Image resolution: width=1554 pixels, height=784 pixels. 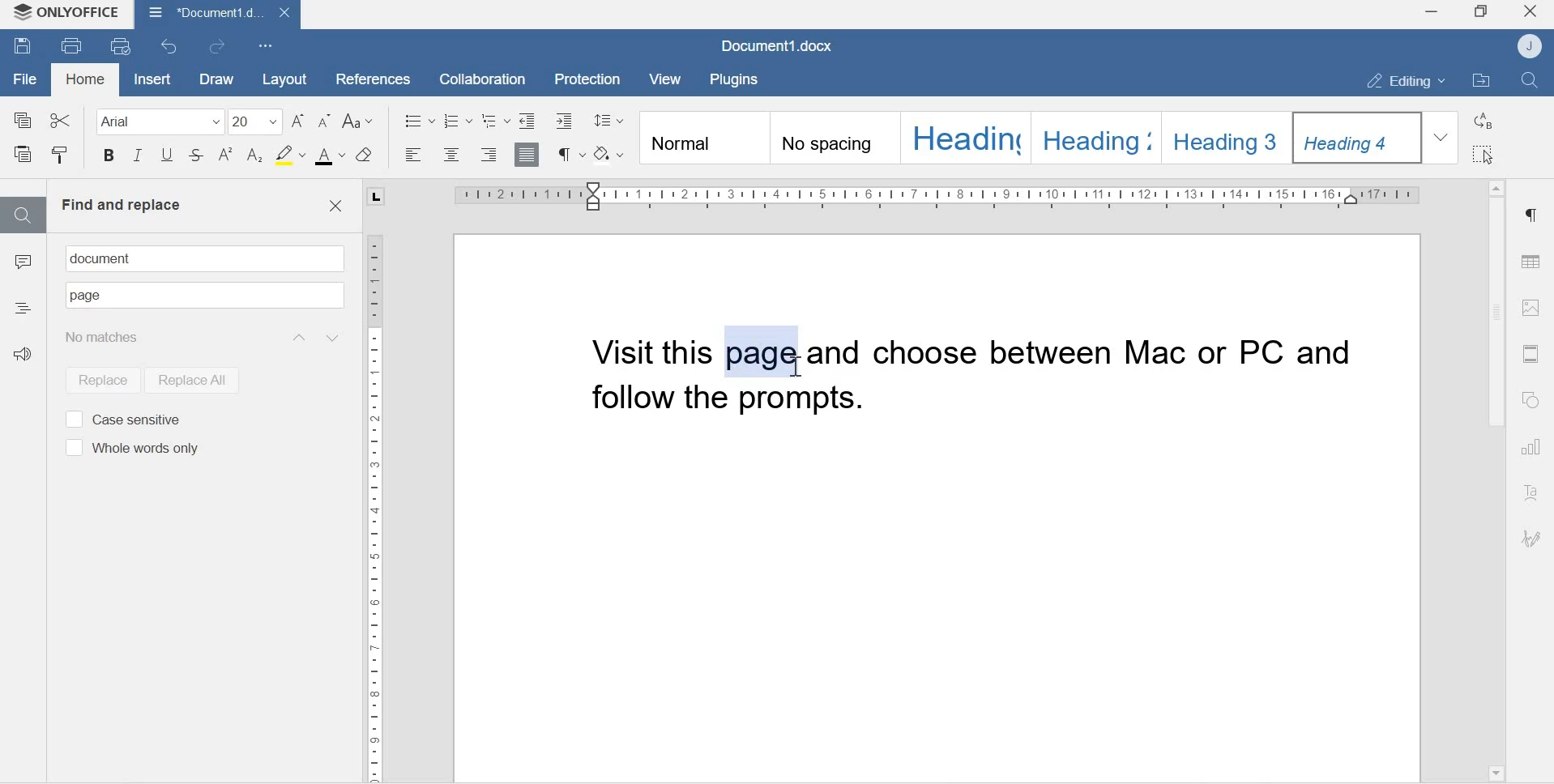 I want to click on View, so click(x=668, y=79).